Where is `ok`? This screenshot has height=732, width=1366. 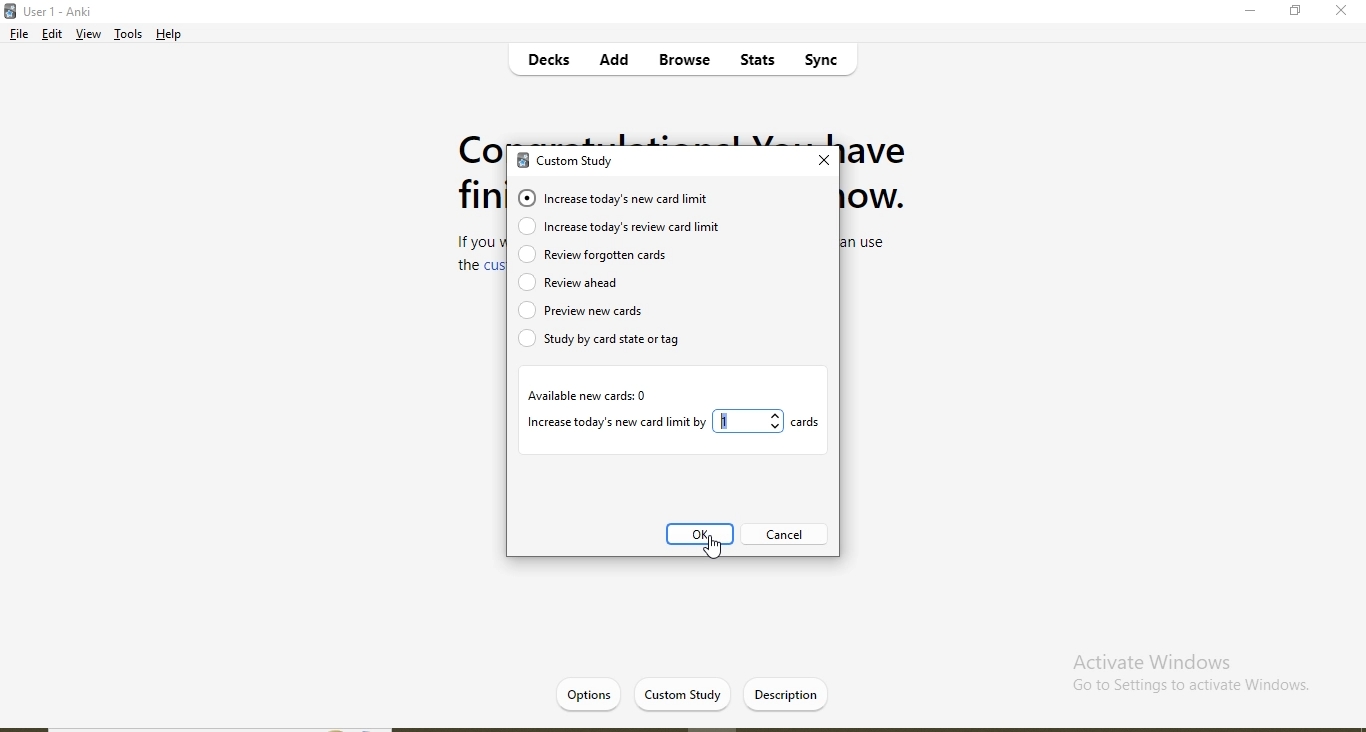 ok is located at coordinates (701, 537).